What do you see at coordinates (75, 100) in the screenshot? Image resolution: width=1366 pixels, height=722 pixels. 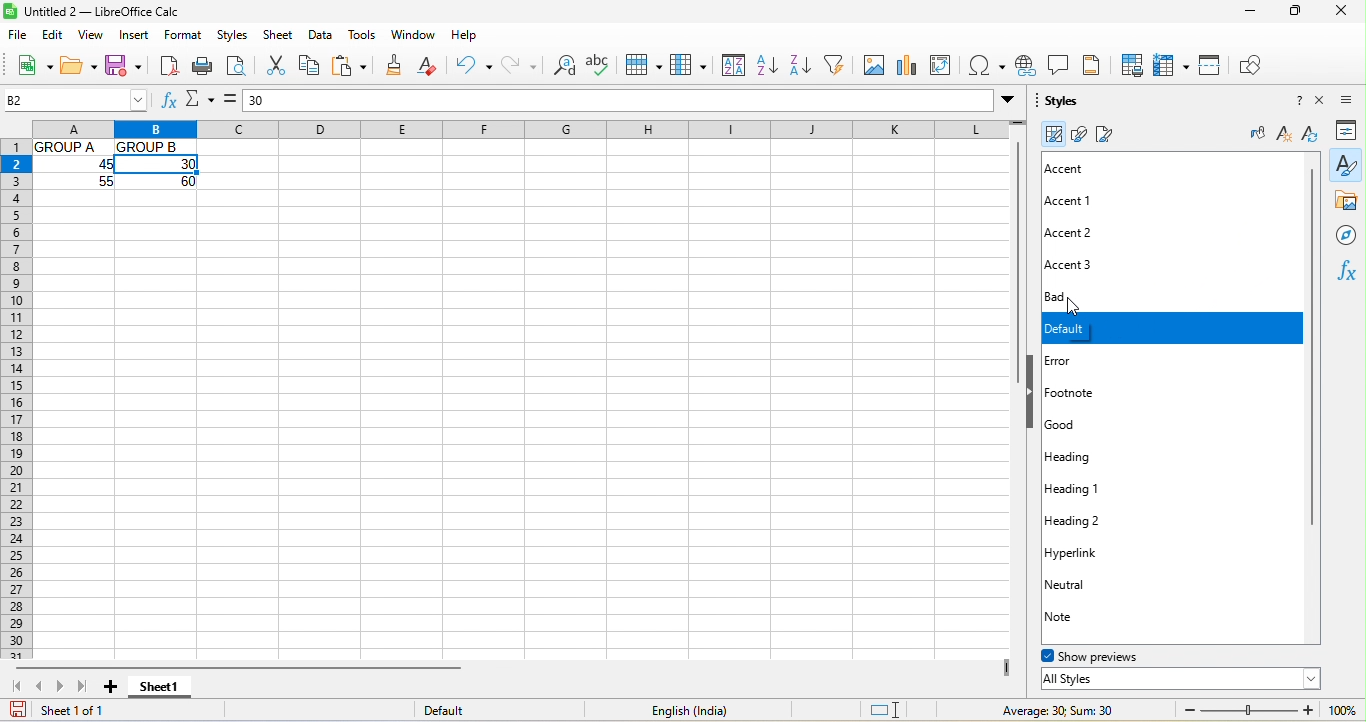 I see `B2 (selected cell number)` at bounding box center [75, 100].